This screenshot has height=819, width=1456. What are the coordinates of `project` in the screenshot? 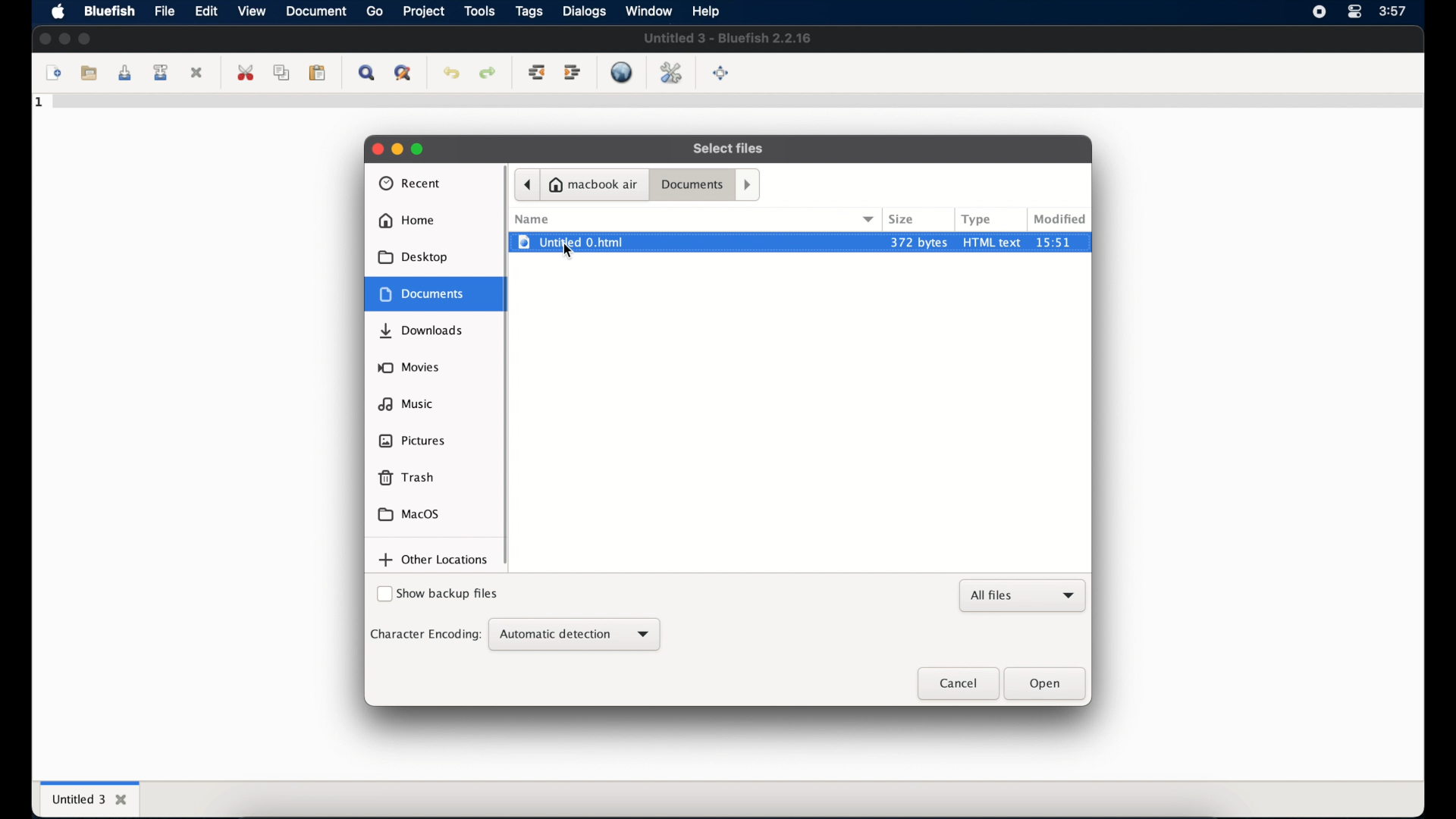 It's located at (423, 11).